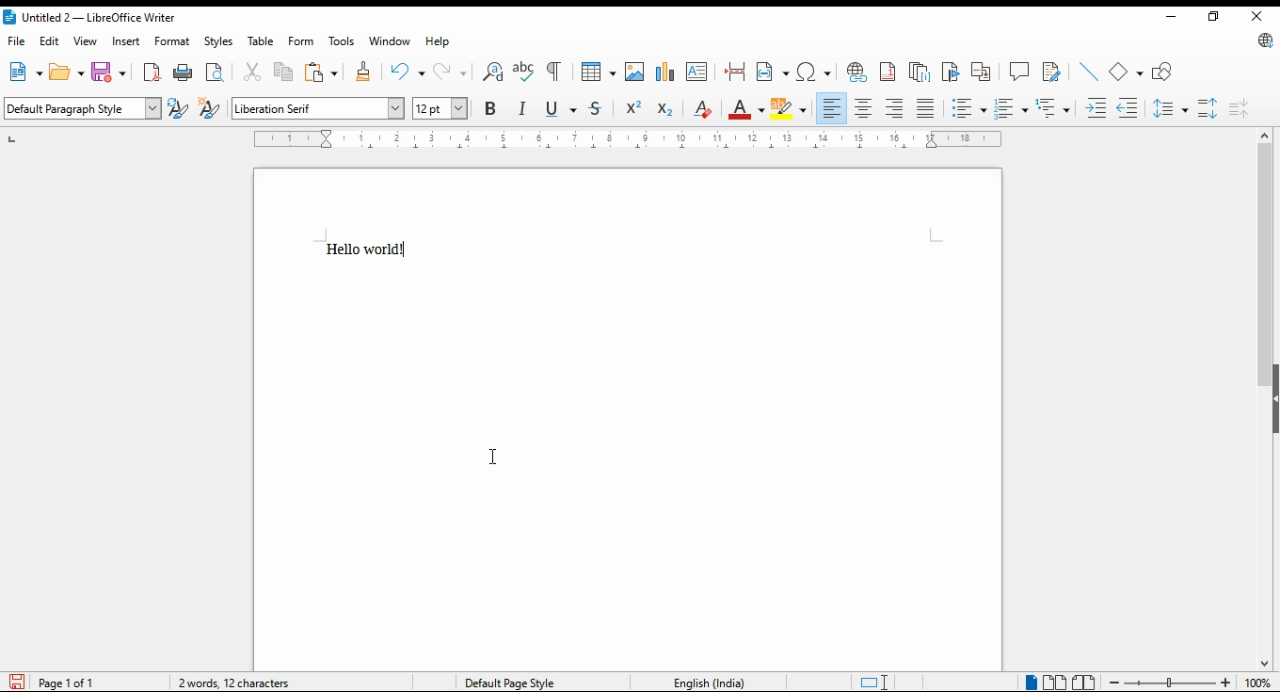 The image size is (1280, 692). I want to click on character highlighting, so click(788, 109).